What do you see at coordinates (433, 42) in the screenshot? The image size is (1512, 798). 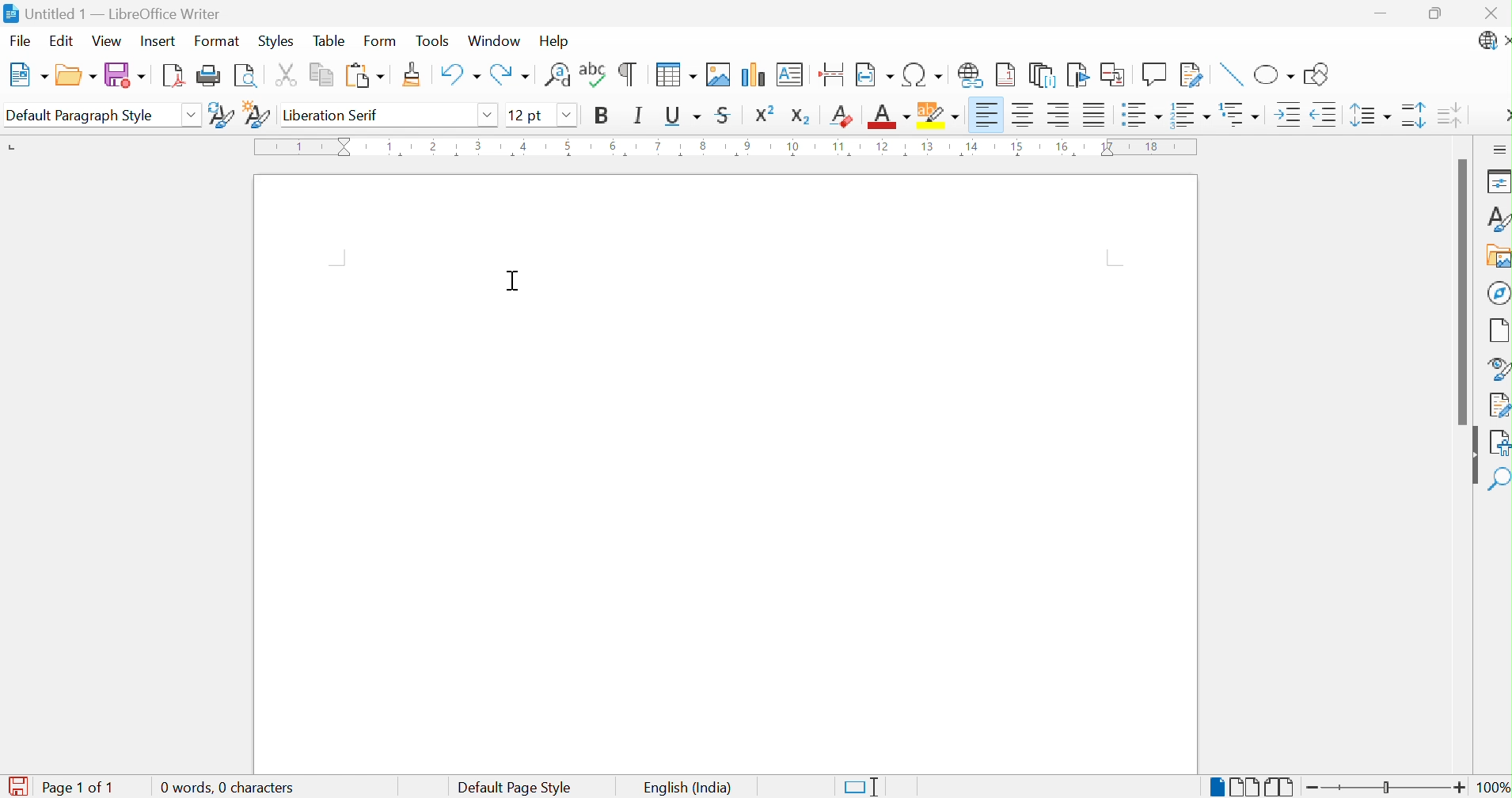 I see `Tools` at bounding box center [433, 42].